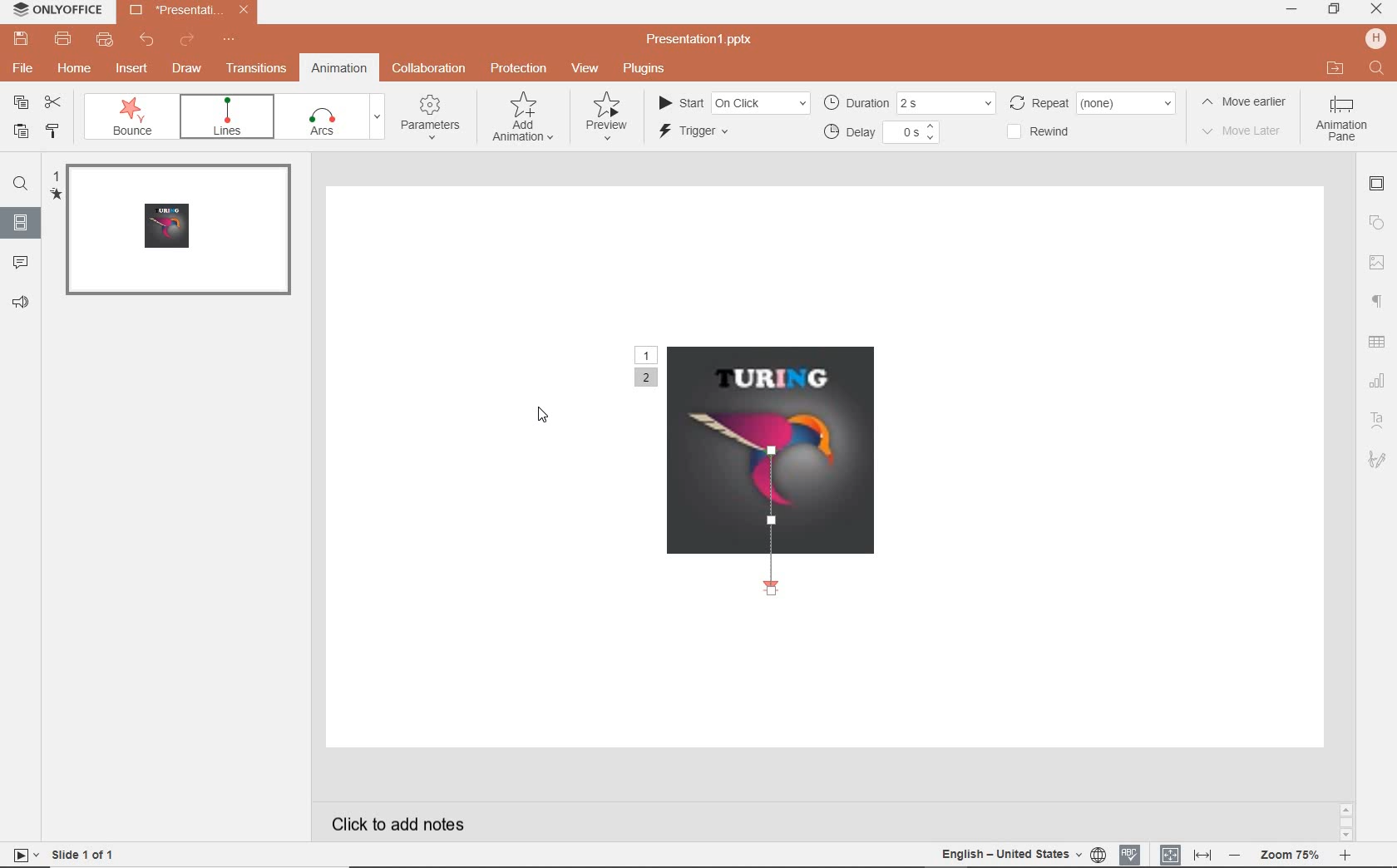  What do you see at coordinates (645, 70) in the screenshot?
I see `plugins` at bounding box center [645, 70].